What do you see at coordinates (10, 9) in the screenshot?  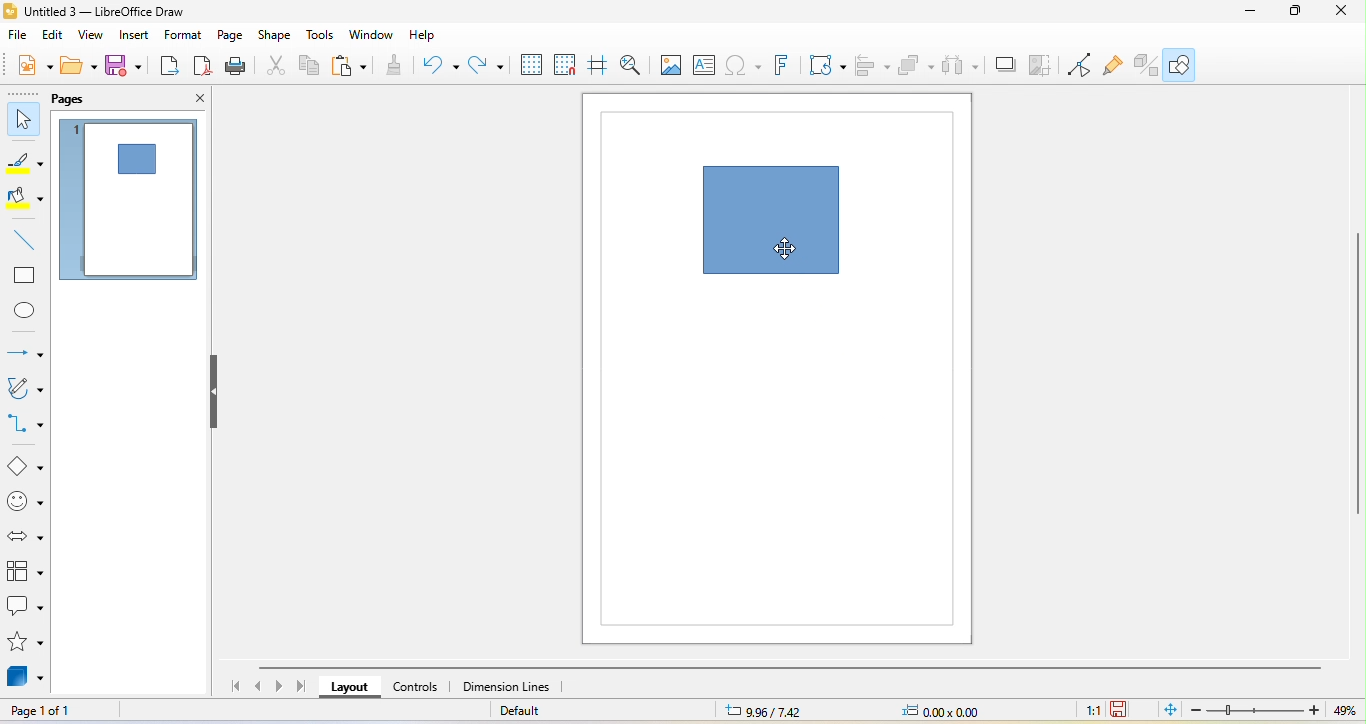 I see `LibreOffice logo` at bounding box center [10, 9].